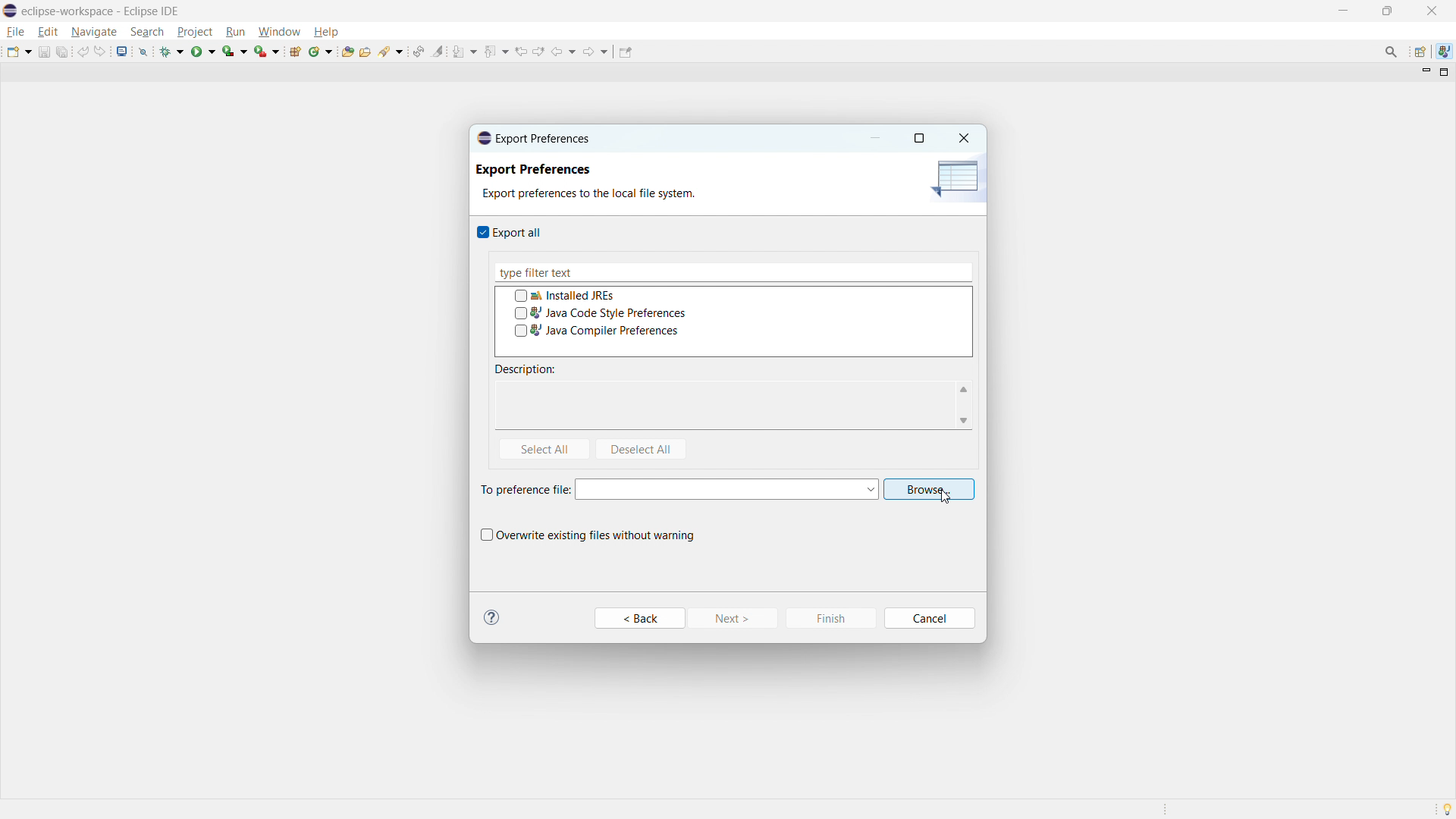  I want to click on redo, so click(100, 52).